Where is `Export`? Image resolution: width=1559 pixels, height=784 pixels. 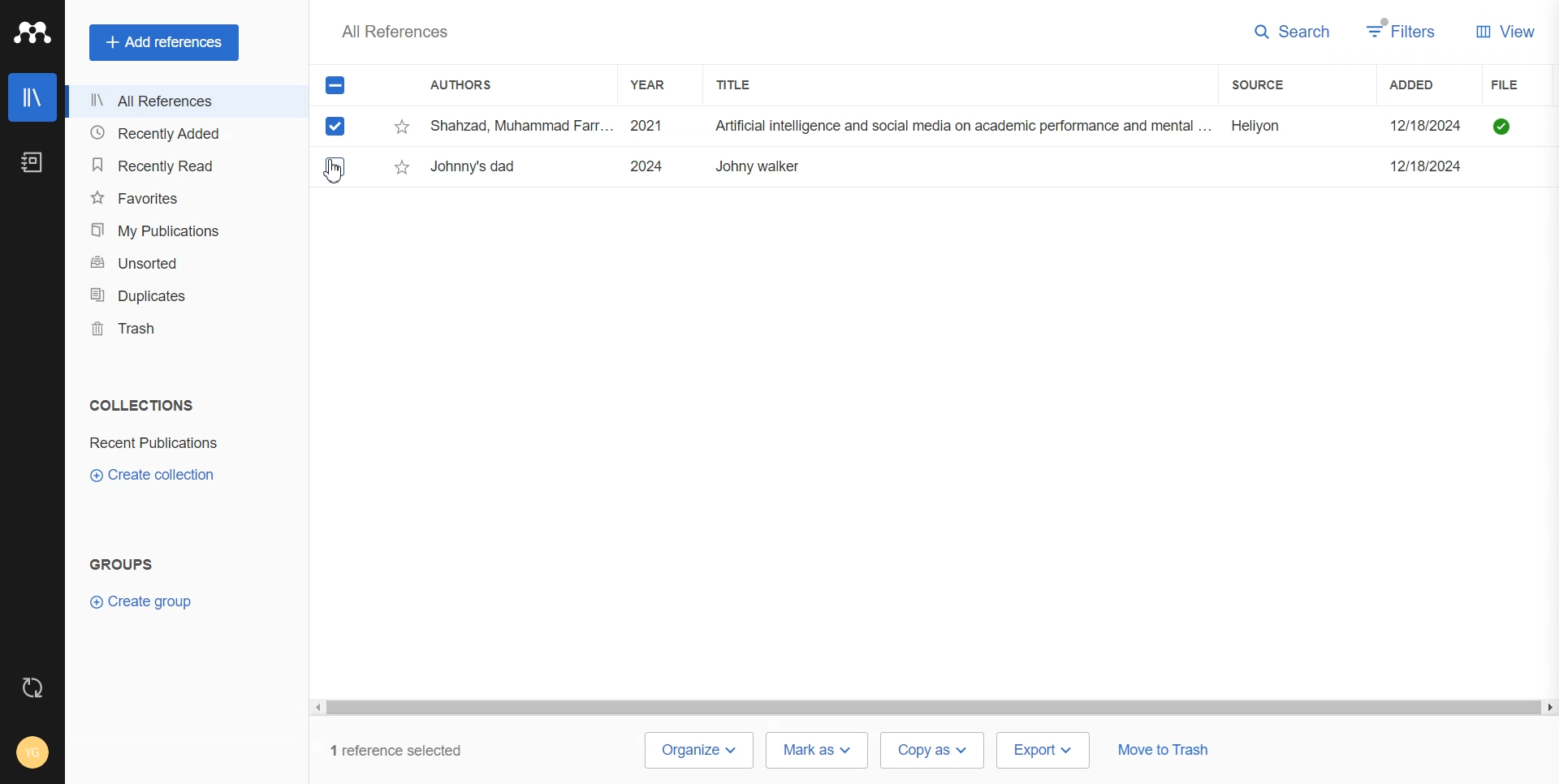 Export is located at coordinates (1044, 749).